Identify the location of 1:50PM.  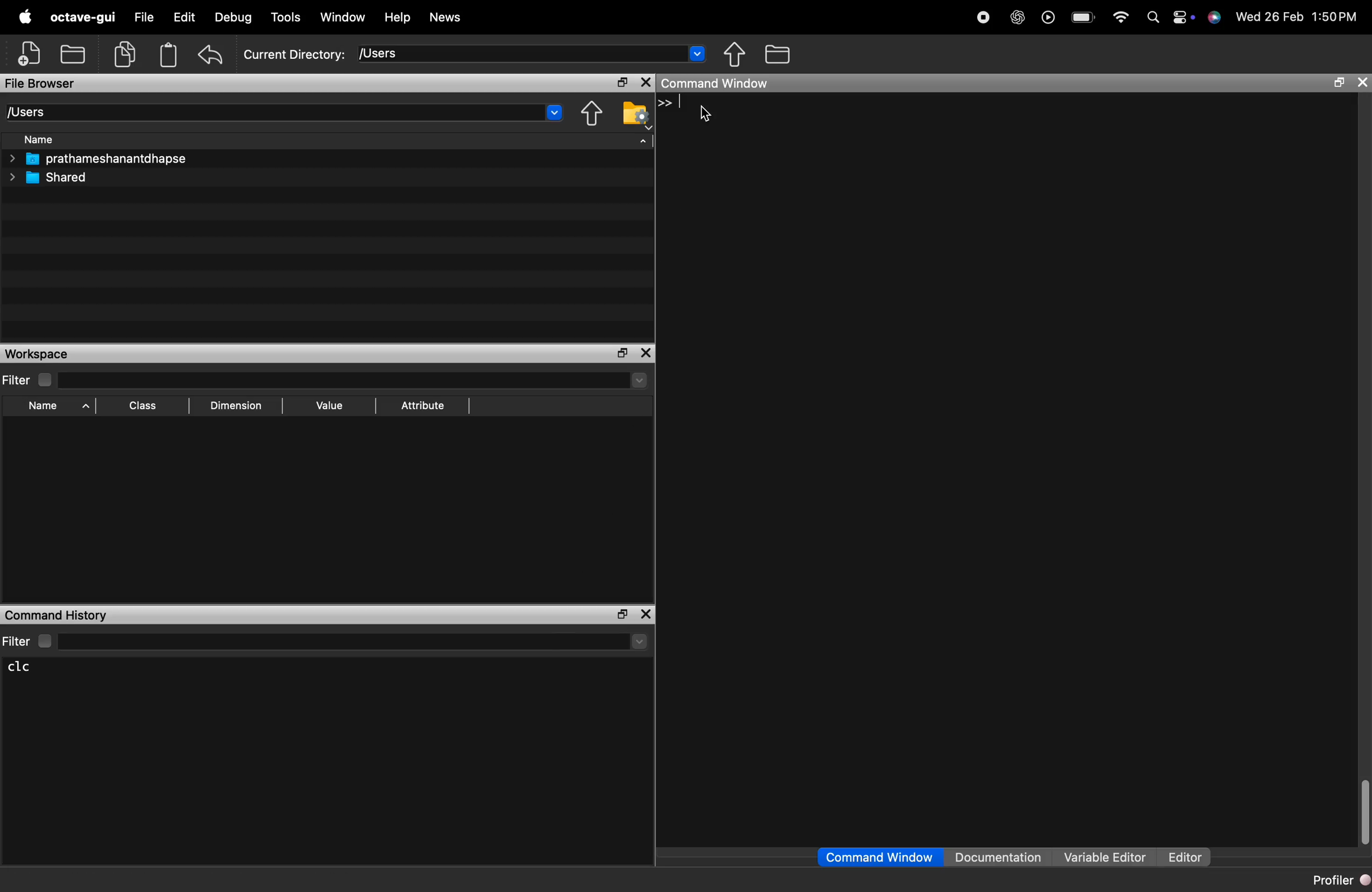
(1335, 17).